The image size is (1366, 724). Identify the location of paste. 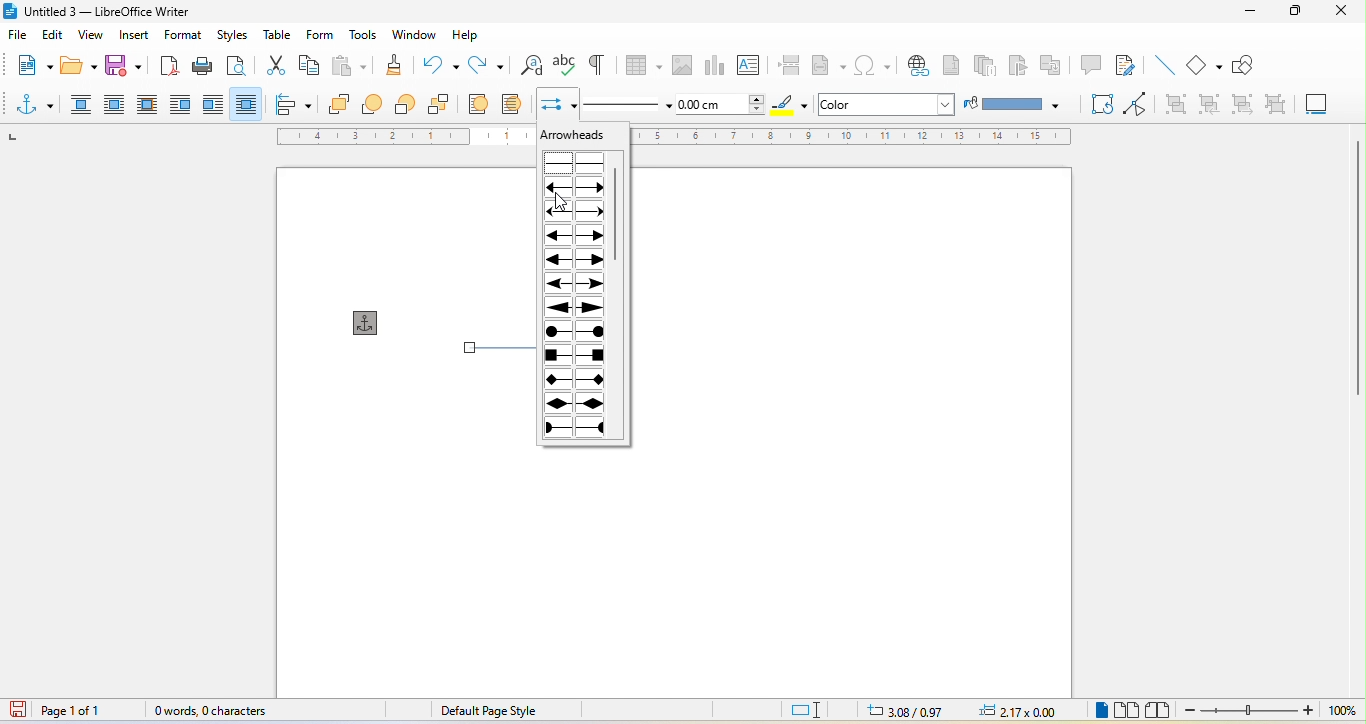
(349, 65).